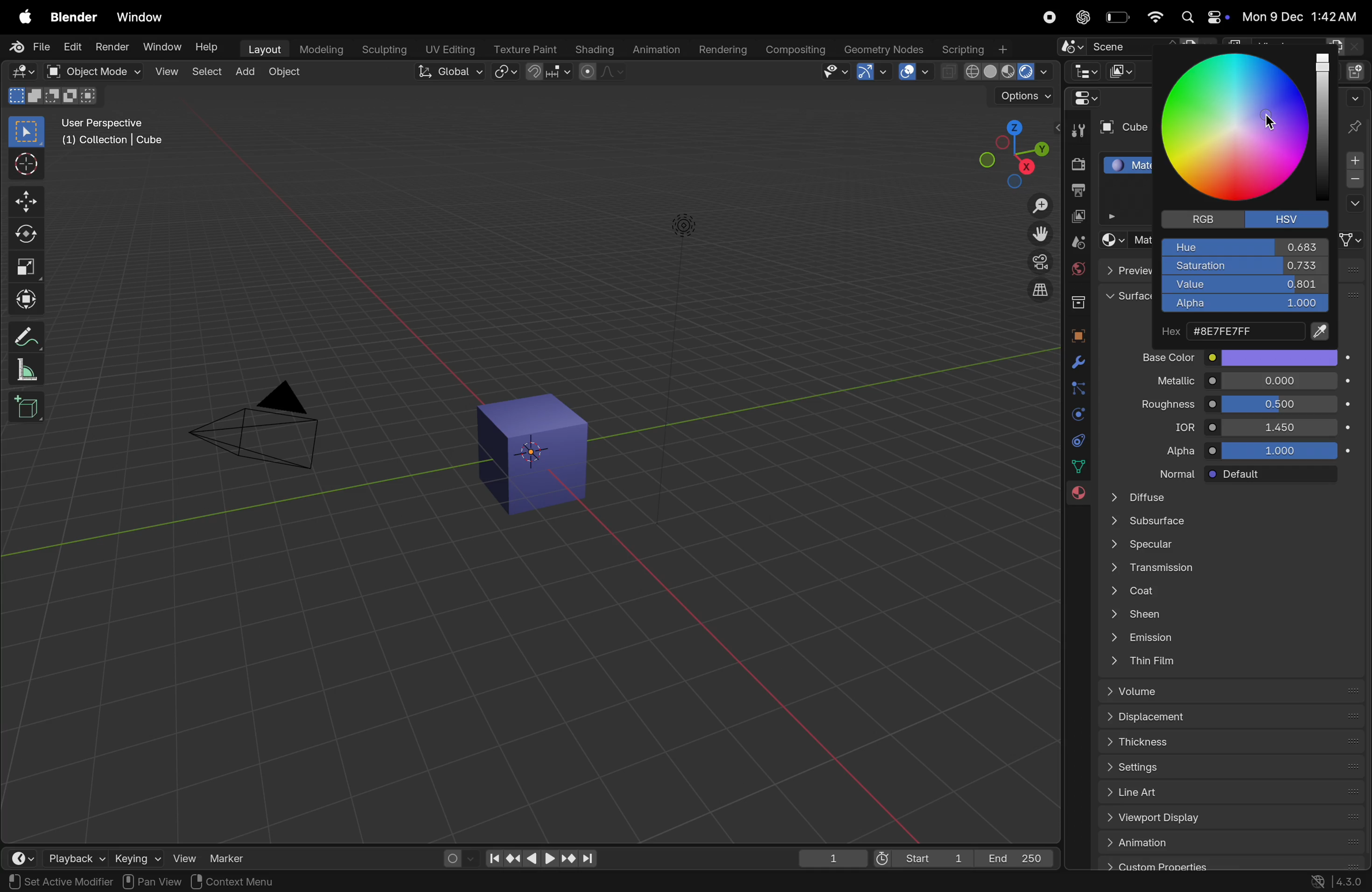 This screenshot has height=892, width=1372. What do you see at coordinates (548, 73) in the screenshot?
I see `snap` at bounding box center [548, 73].